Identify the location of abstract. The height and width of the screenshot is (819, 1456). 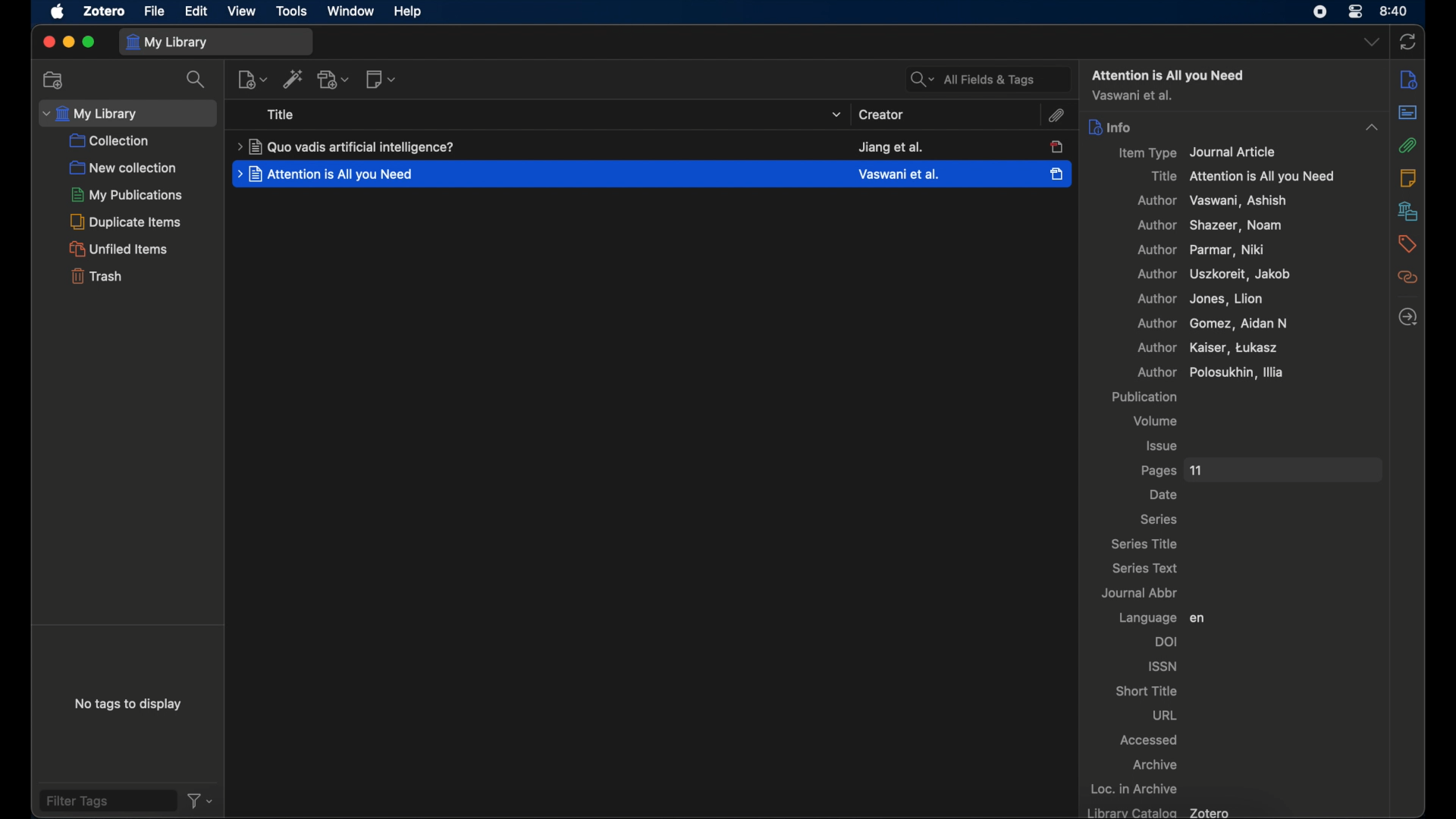
(1408, 112).